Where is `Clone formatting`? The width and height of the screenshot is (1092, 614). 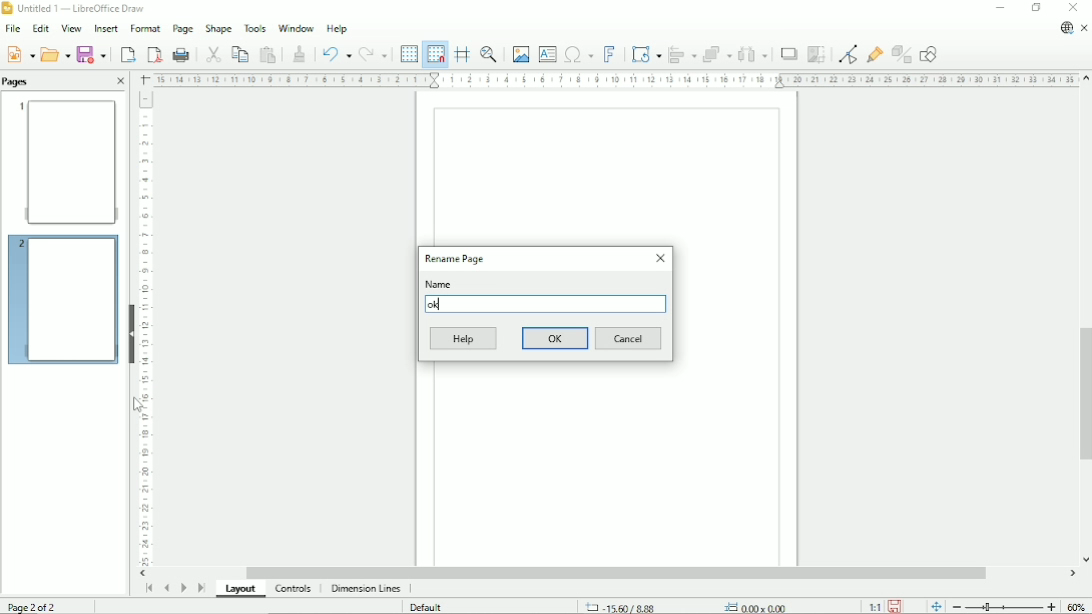 Clone formatting is located at coordinates (299, 52).